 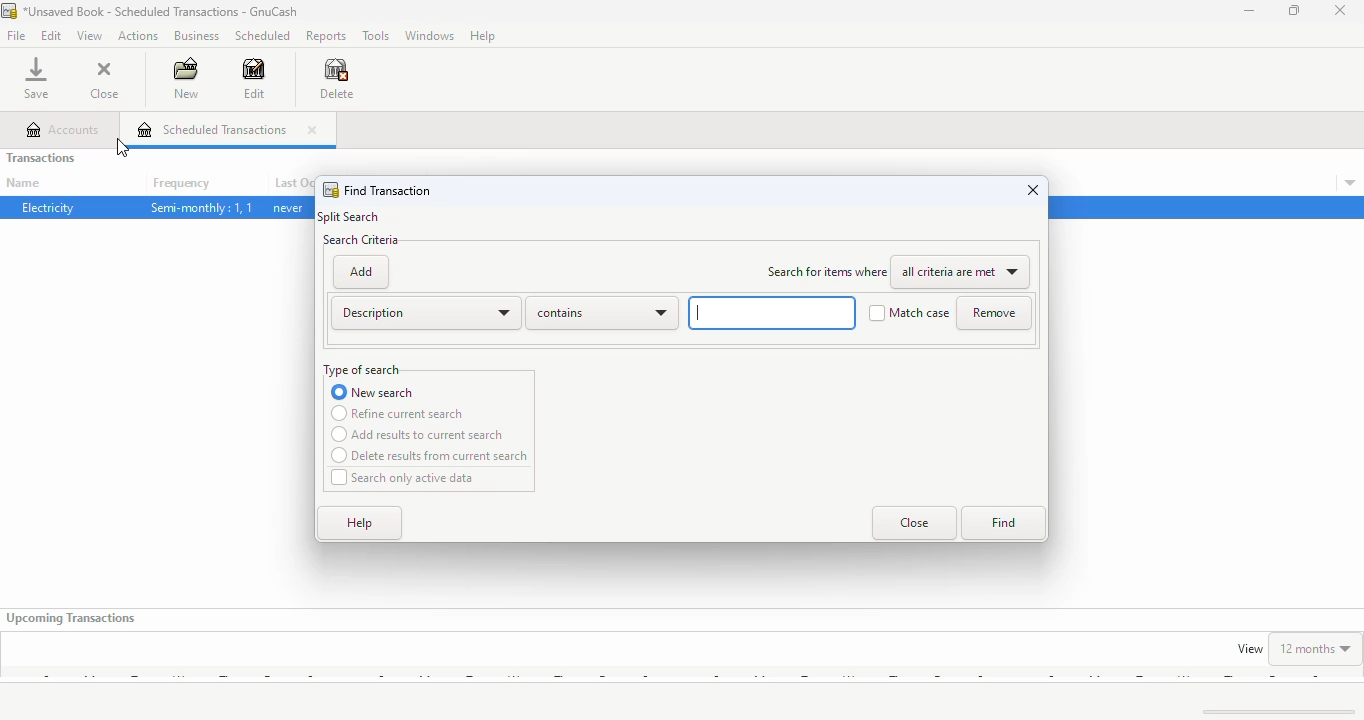 I want to click on add, so click(x=360, y=272).